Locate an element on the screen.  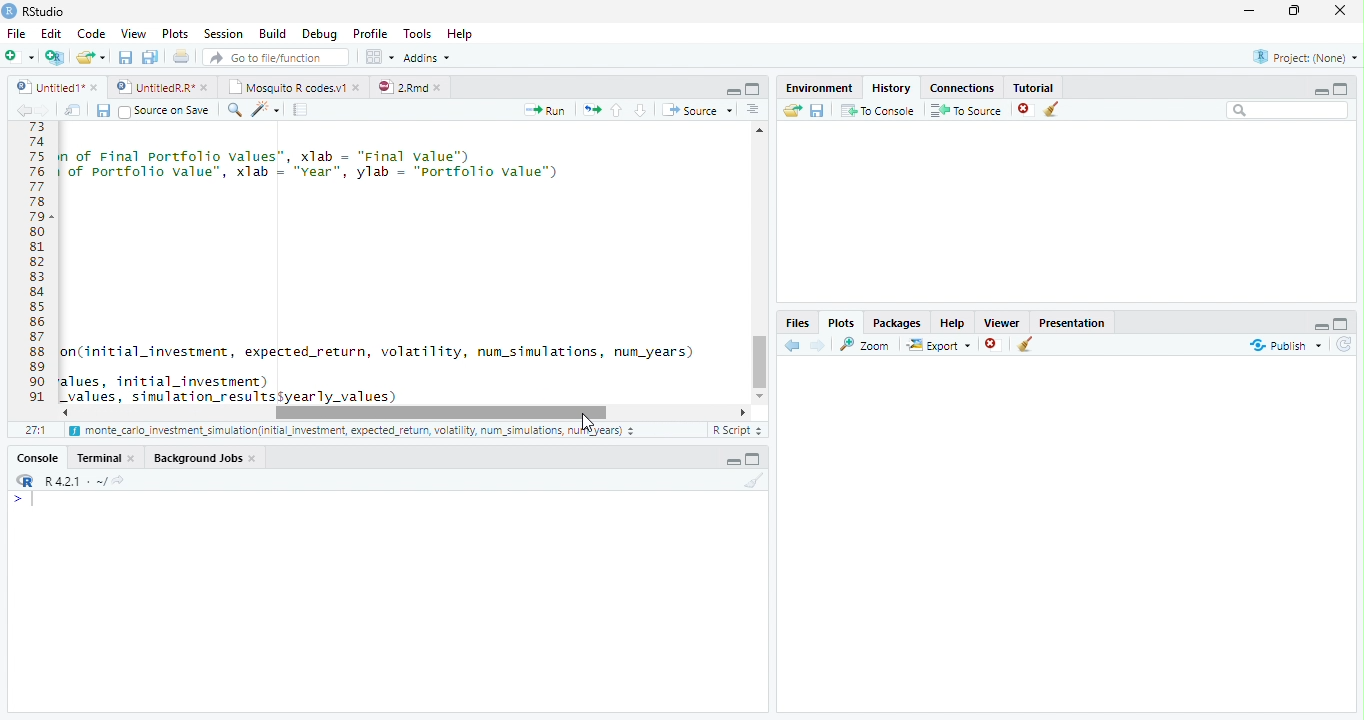
Refresh List is located at coordinates (1345, 345).